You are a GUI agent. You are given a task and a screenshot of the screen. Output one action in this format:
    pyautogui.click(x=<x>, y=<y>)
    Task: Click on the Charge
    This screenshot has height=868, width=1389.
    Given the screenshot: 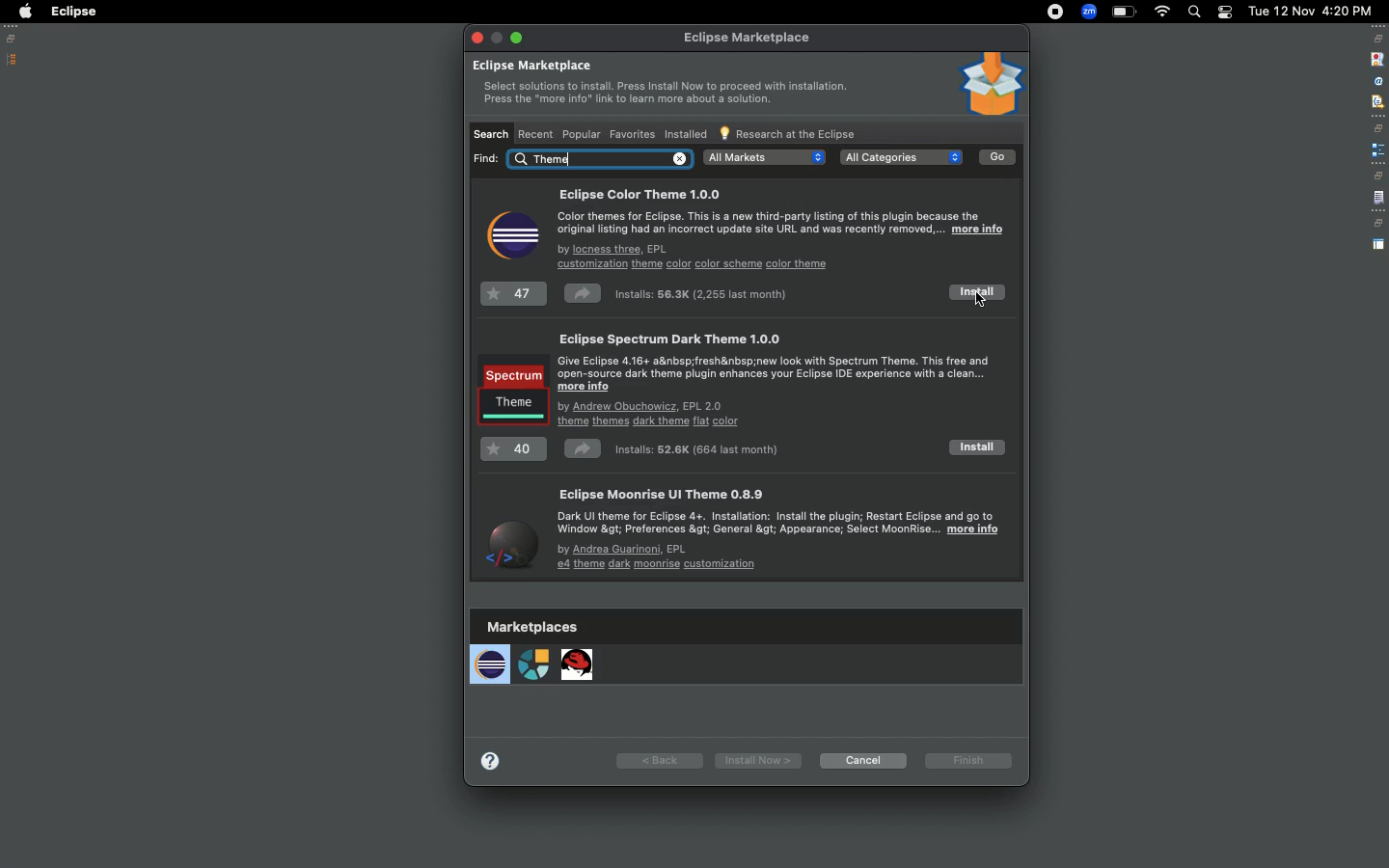 What is the action you would take?
    pyautogui.click(x=1124, y=13)
    